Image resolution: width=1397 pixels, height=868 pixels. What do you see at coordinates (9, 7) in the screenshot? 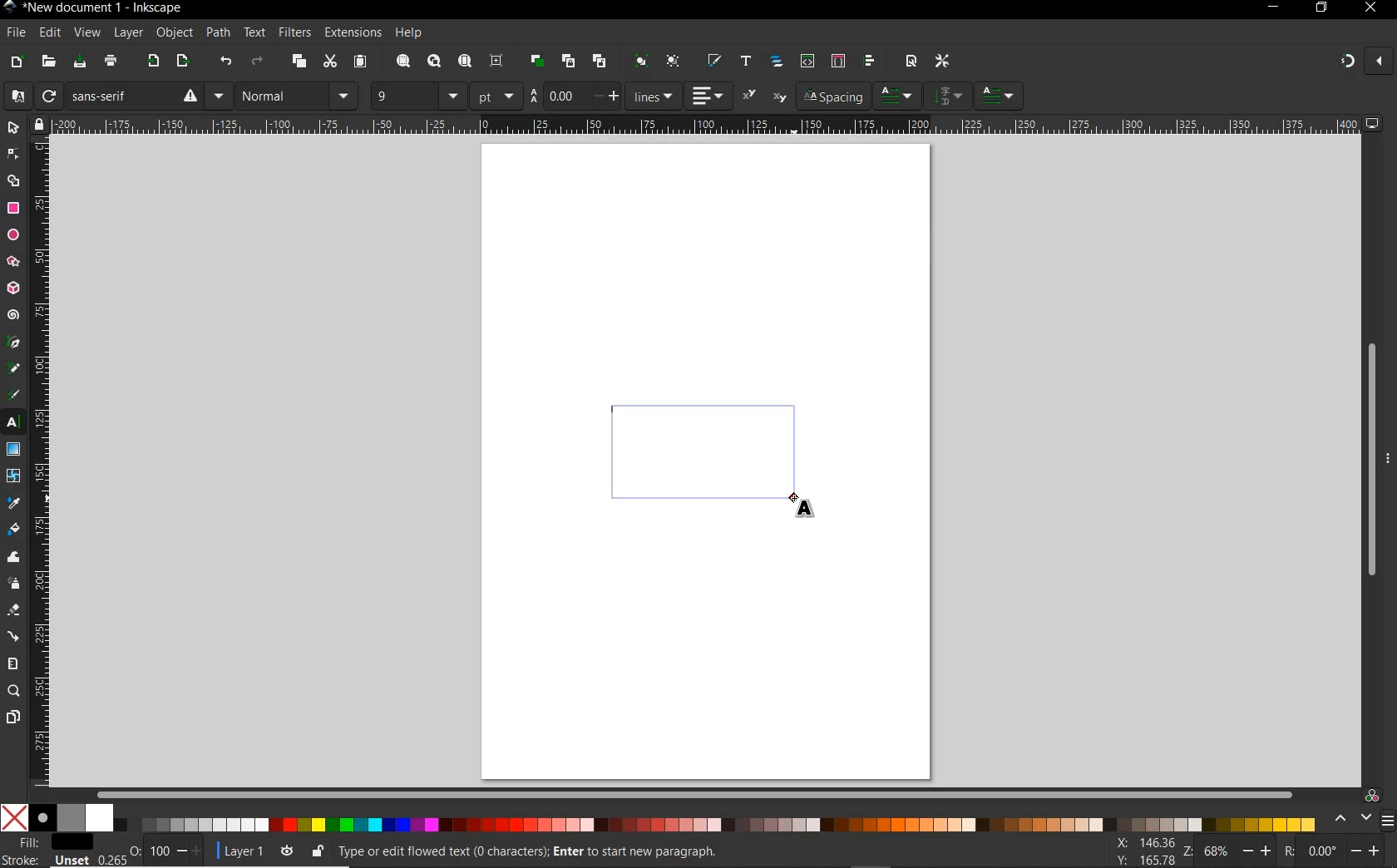
I see `logo` at bounding box center [9, 7].